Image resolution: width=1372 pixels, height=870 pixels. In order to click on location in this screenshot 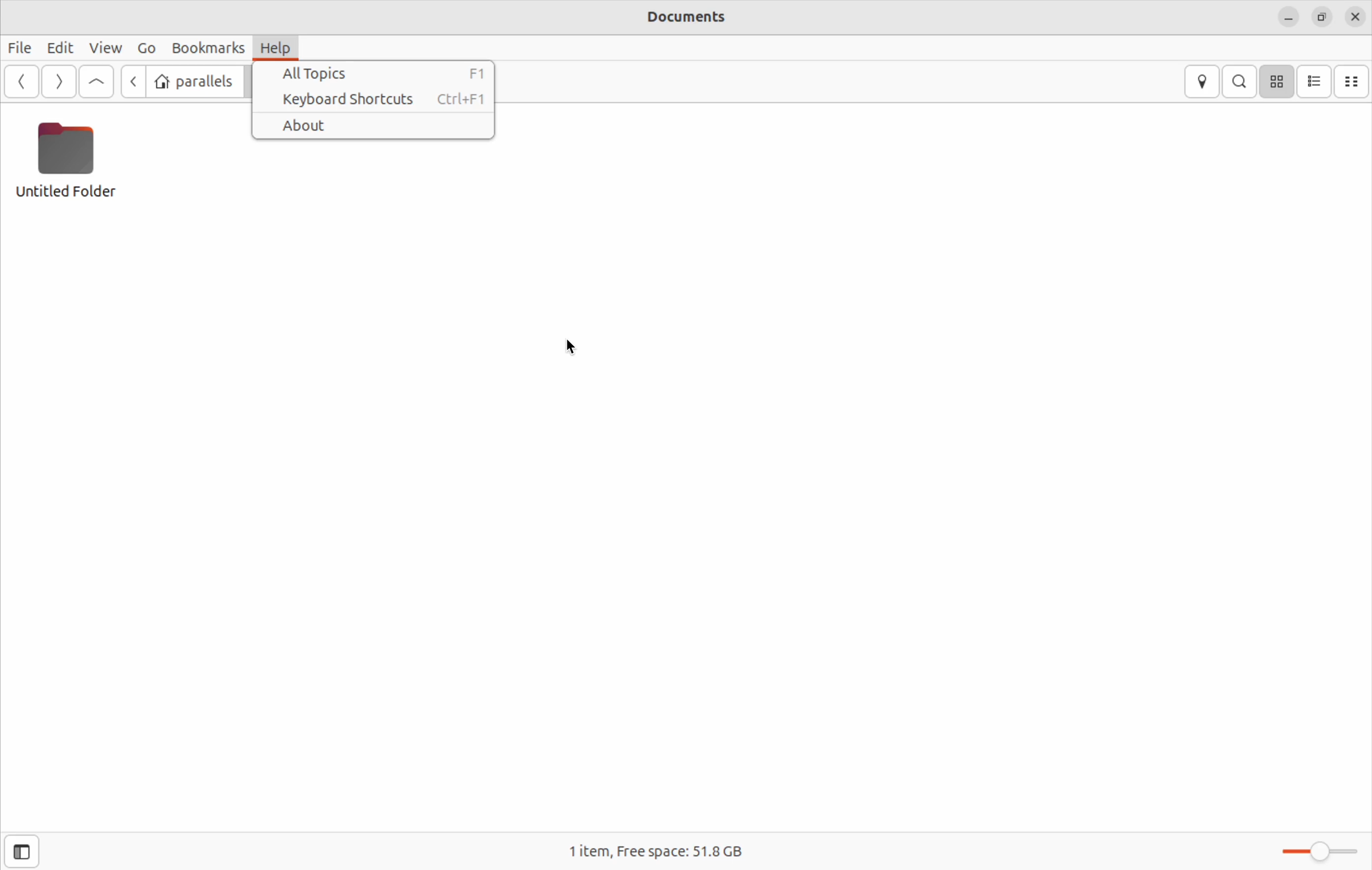, I will do `click(1199, 81)`.